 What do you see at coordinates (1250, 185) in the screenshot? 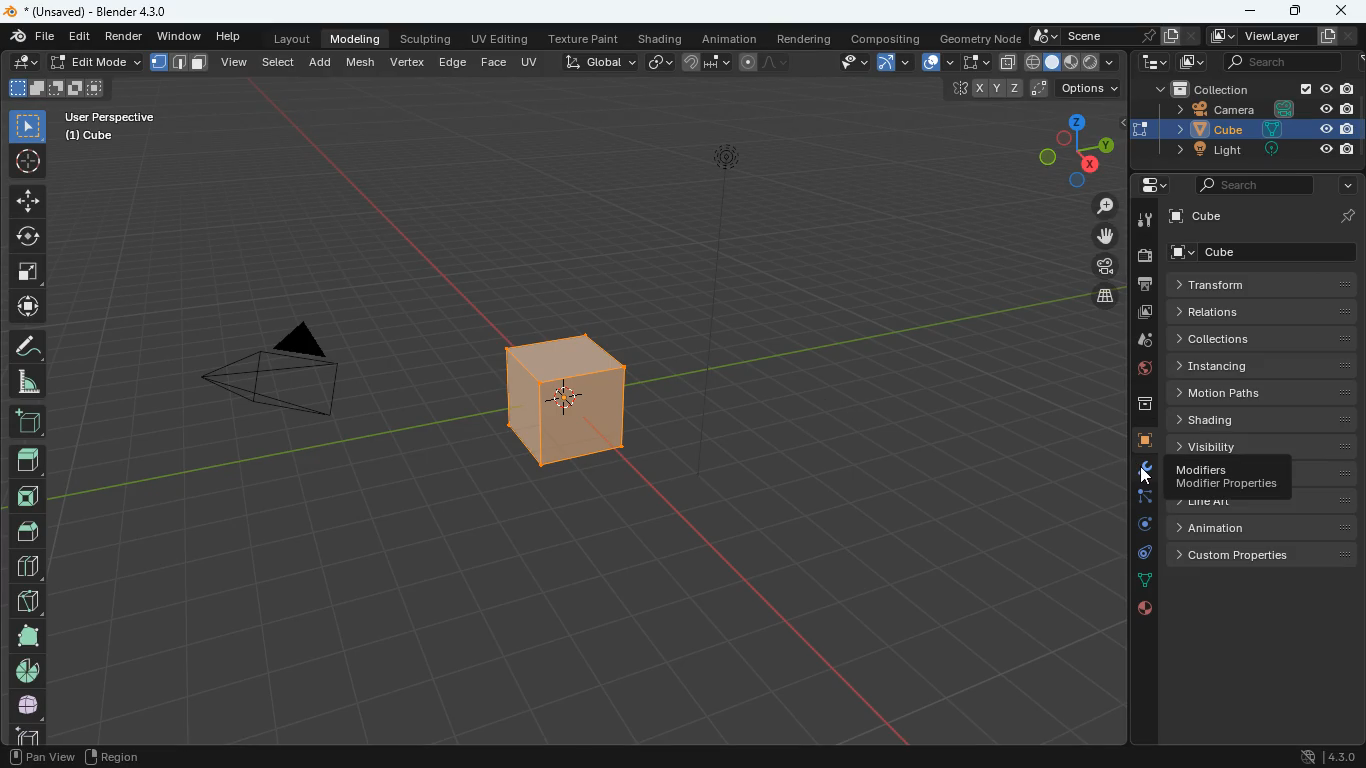
I see `search` at bounding box center [1250, 185].